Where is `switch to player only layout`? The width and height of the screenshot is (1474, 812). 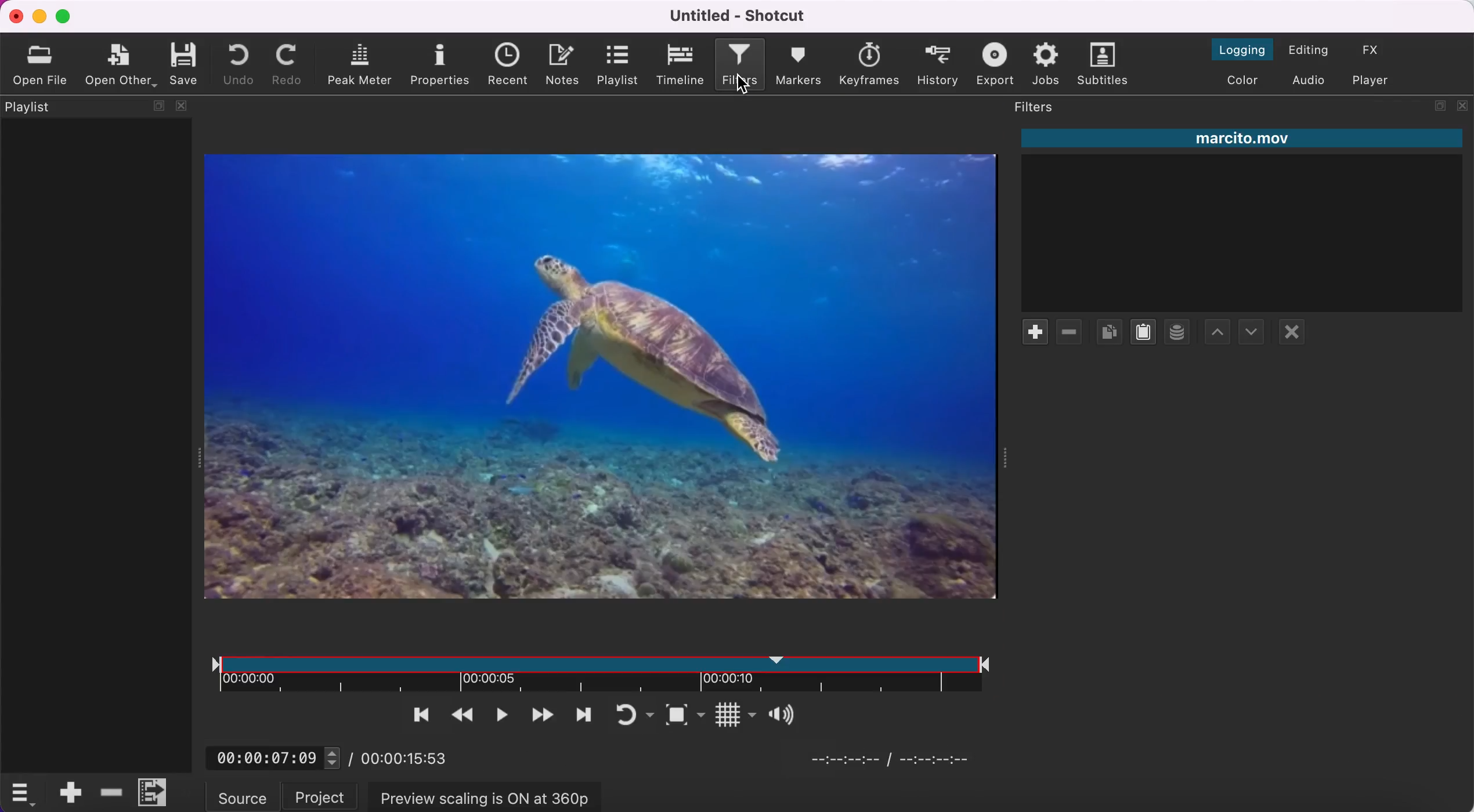 switch to player only layout is located at coordinates (1380, 79).